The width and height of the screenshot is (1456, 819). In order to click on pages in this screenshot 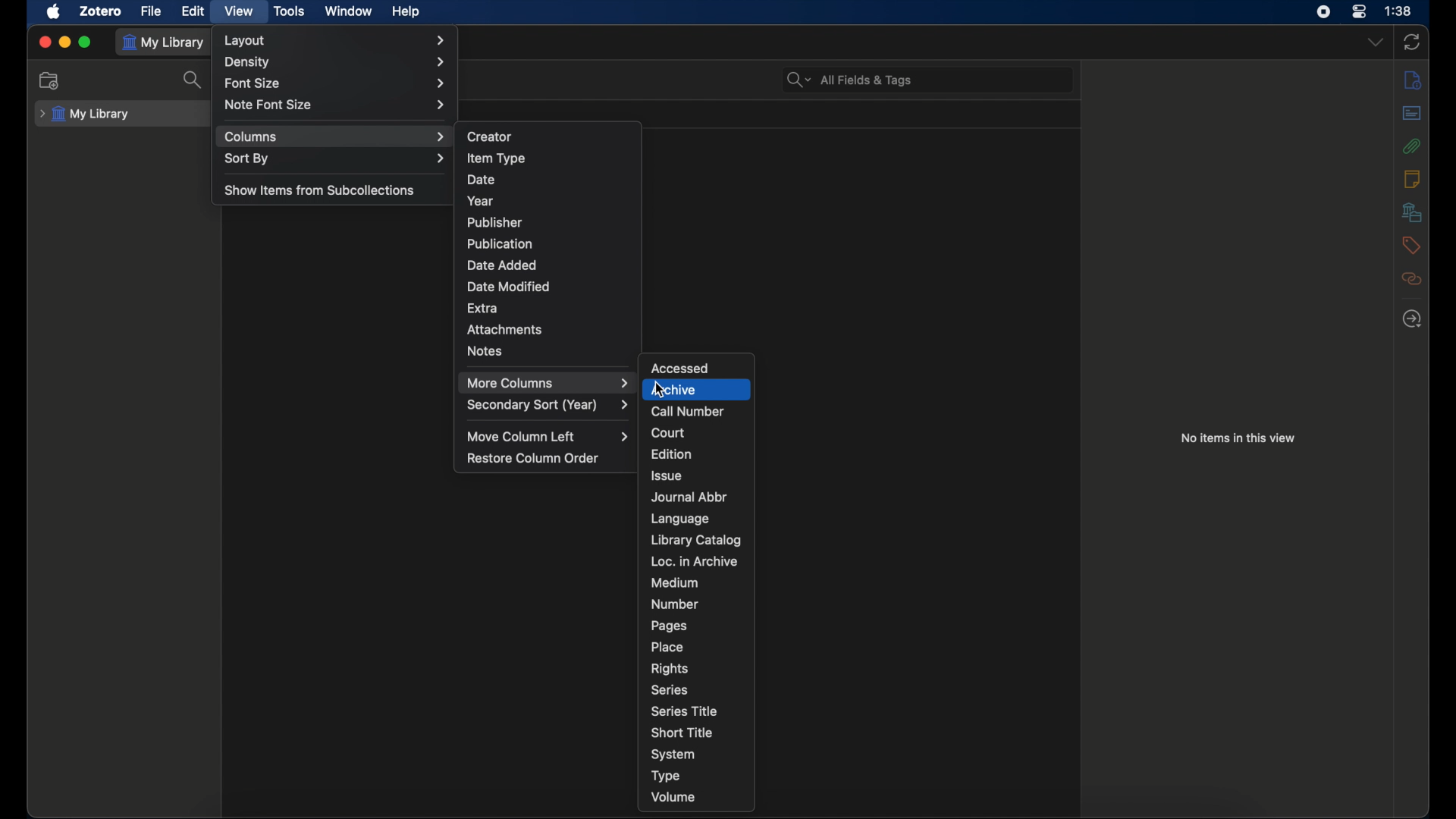, I will do `click(668, 626)`.